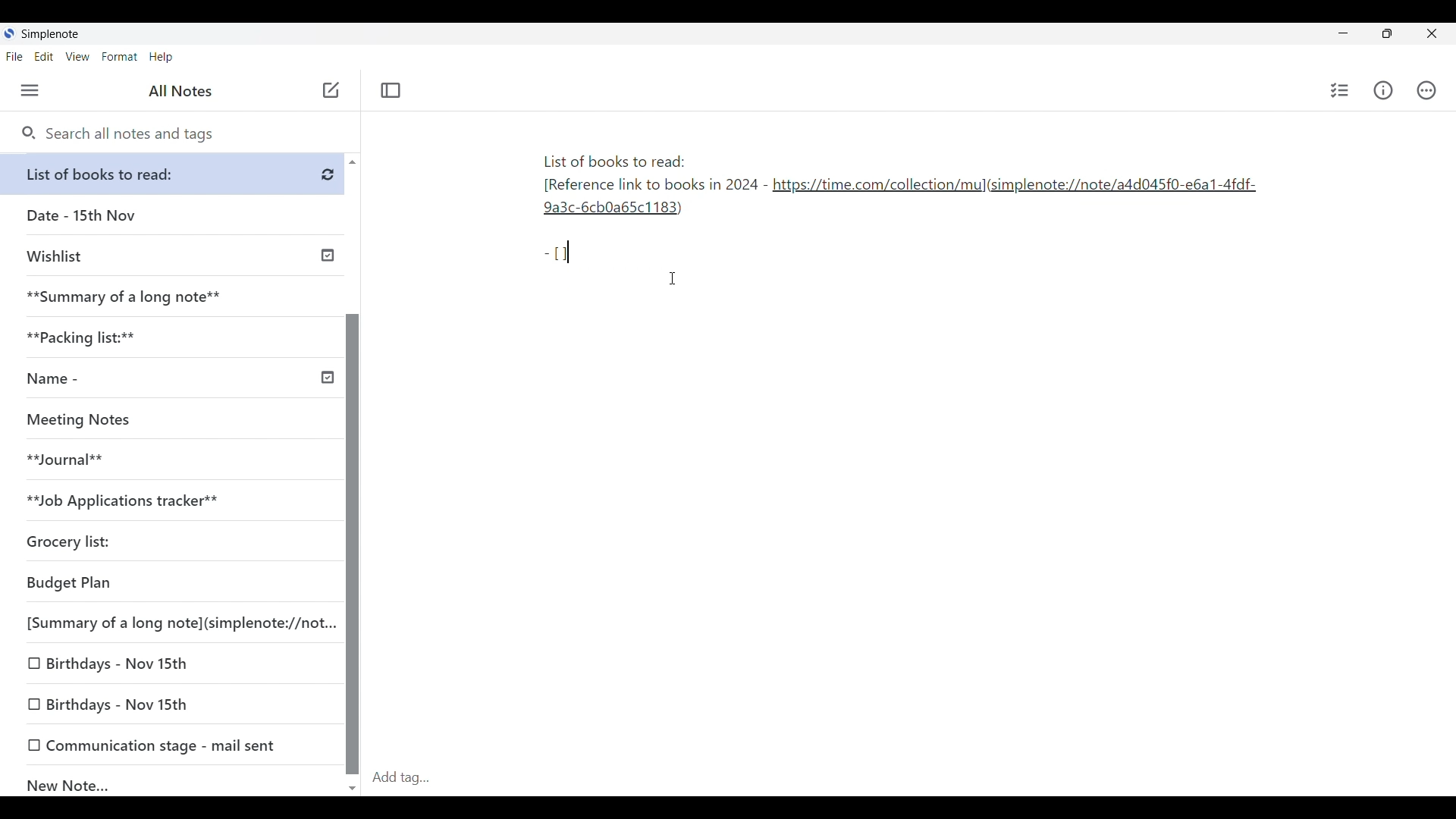 The width and height of the screenshot is (1456, 819). I want to click on All Notes, so click(178, 91).